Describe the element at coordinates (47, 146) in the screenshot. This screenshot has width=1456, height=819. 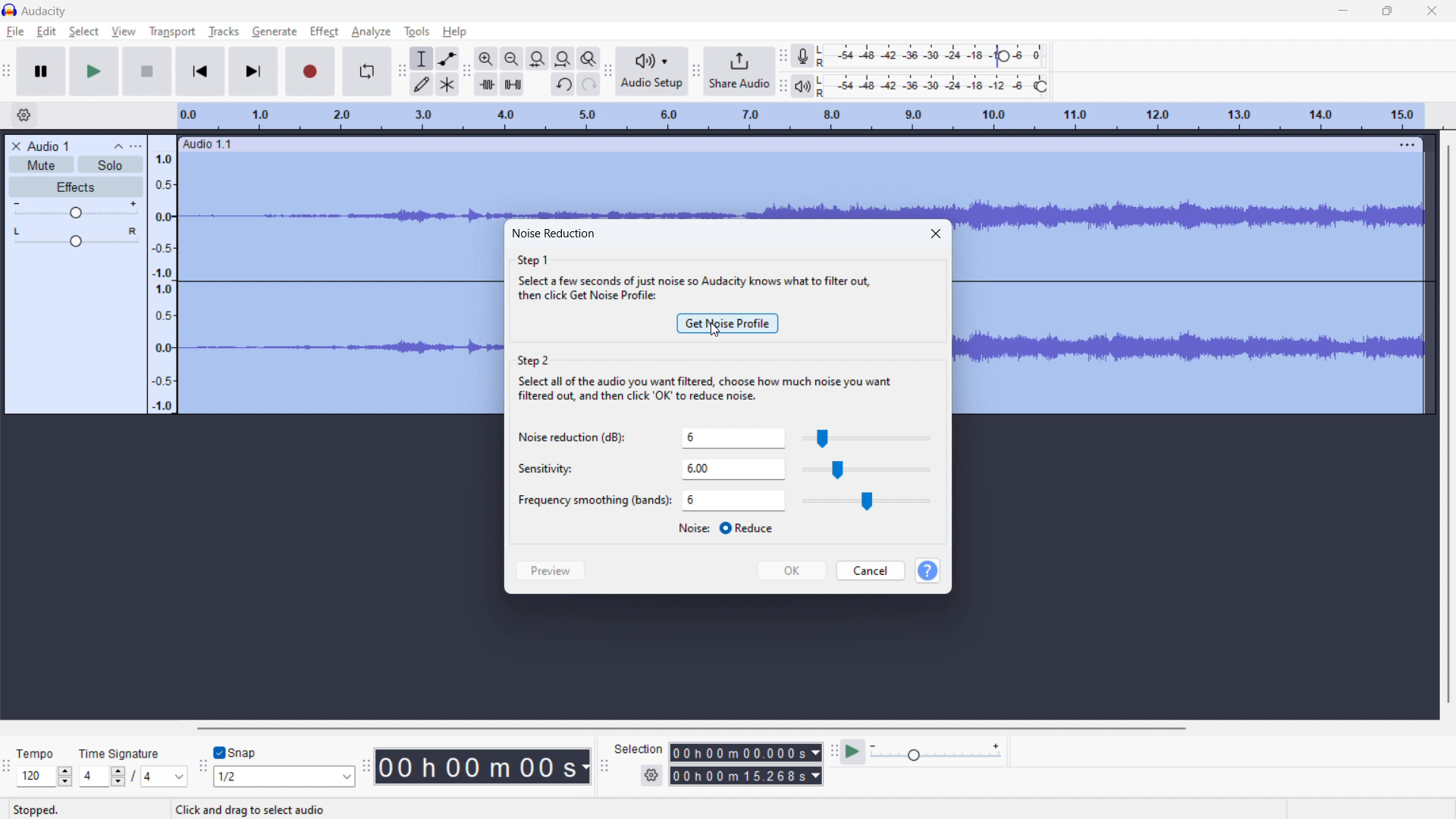
I see `title` at that location.